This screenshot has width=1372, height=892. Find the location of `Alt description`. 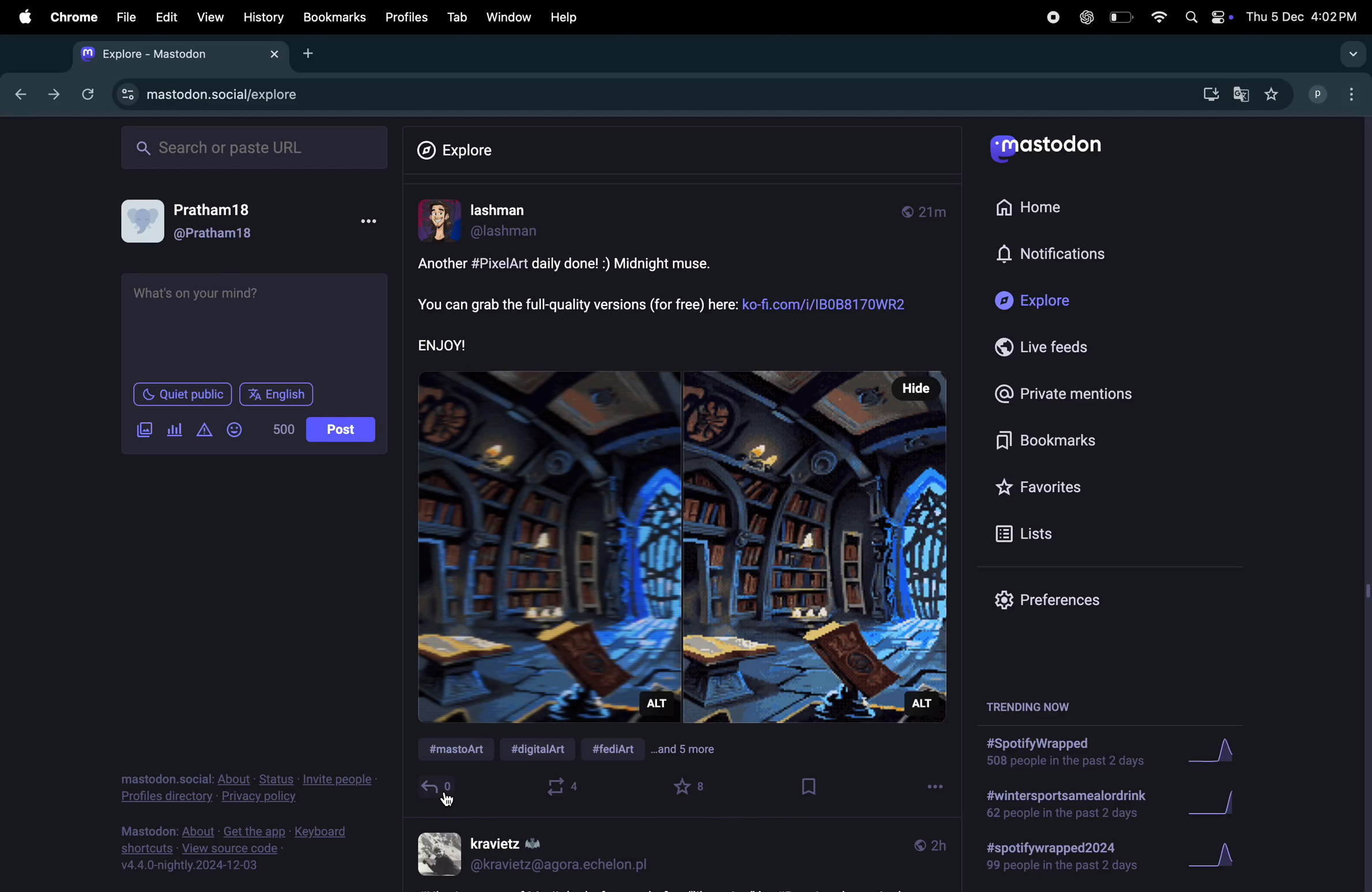

Alt description is located at coordinates (921, 702).